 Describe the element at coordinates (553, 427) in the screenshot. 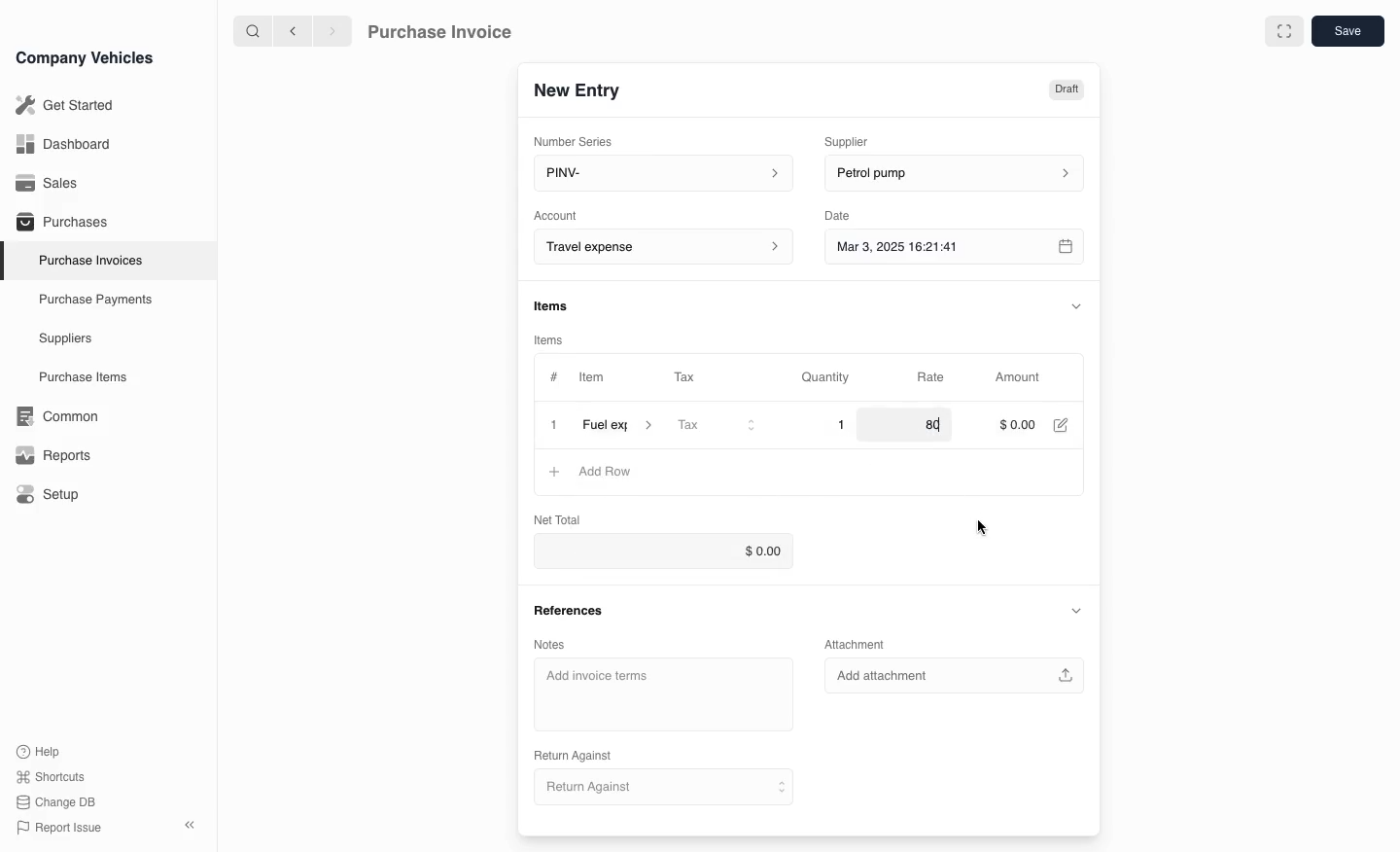

I see `close` at that location.